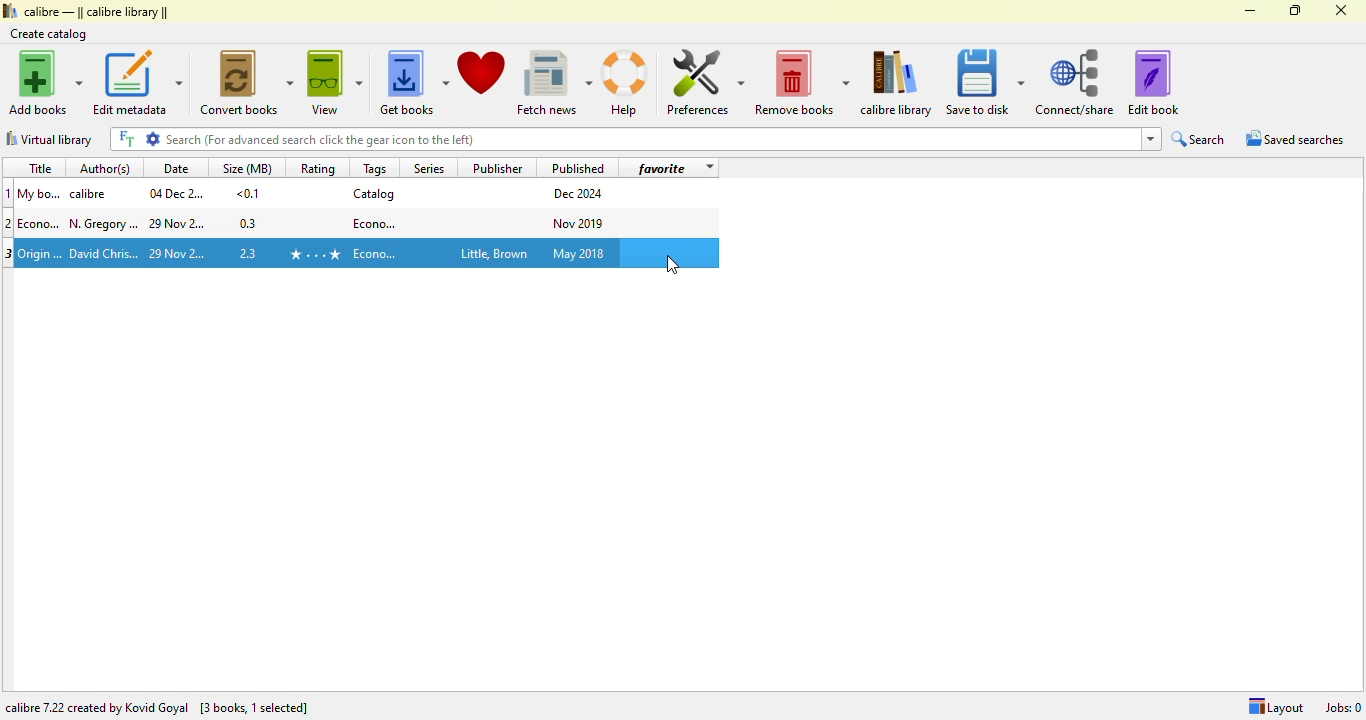 Image resolution: width=1366 pixels, height=720 pixels. Describe the element at coordinates (9, 193) in the screenshot. I see `1` at that location.